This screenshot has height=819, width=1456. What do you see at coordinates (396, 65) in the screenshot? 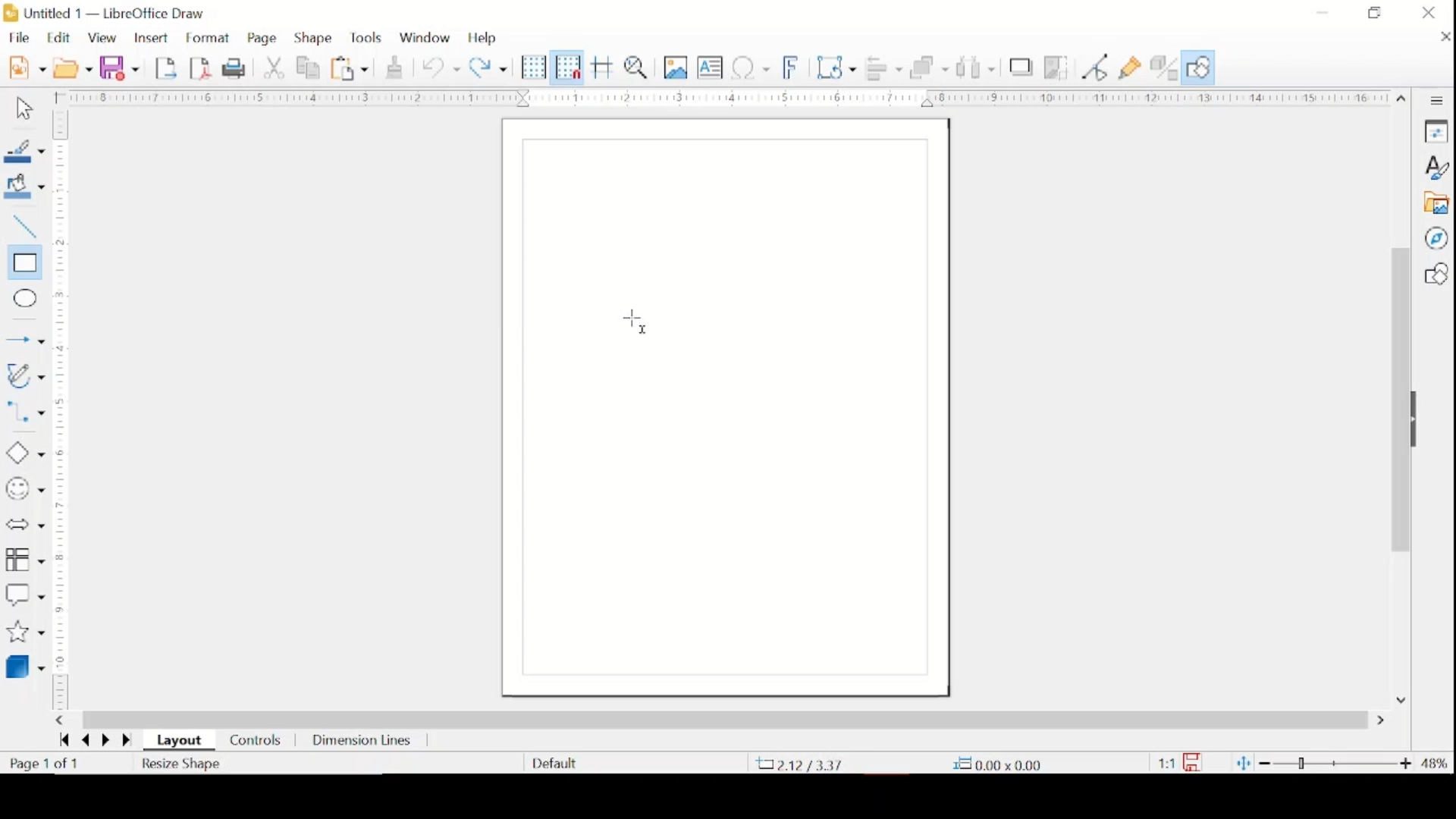
I see `clone formatting` at bounding box center [396, 65].